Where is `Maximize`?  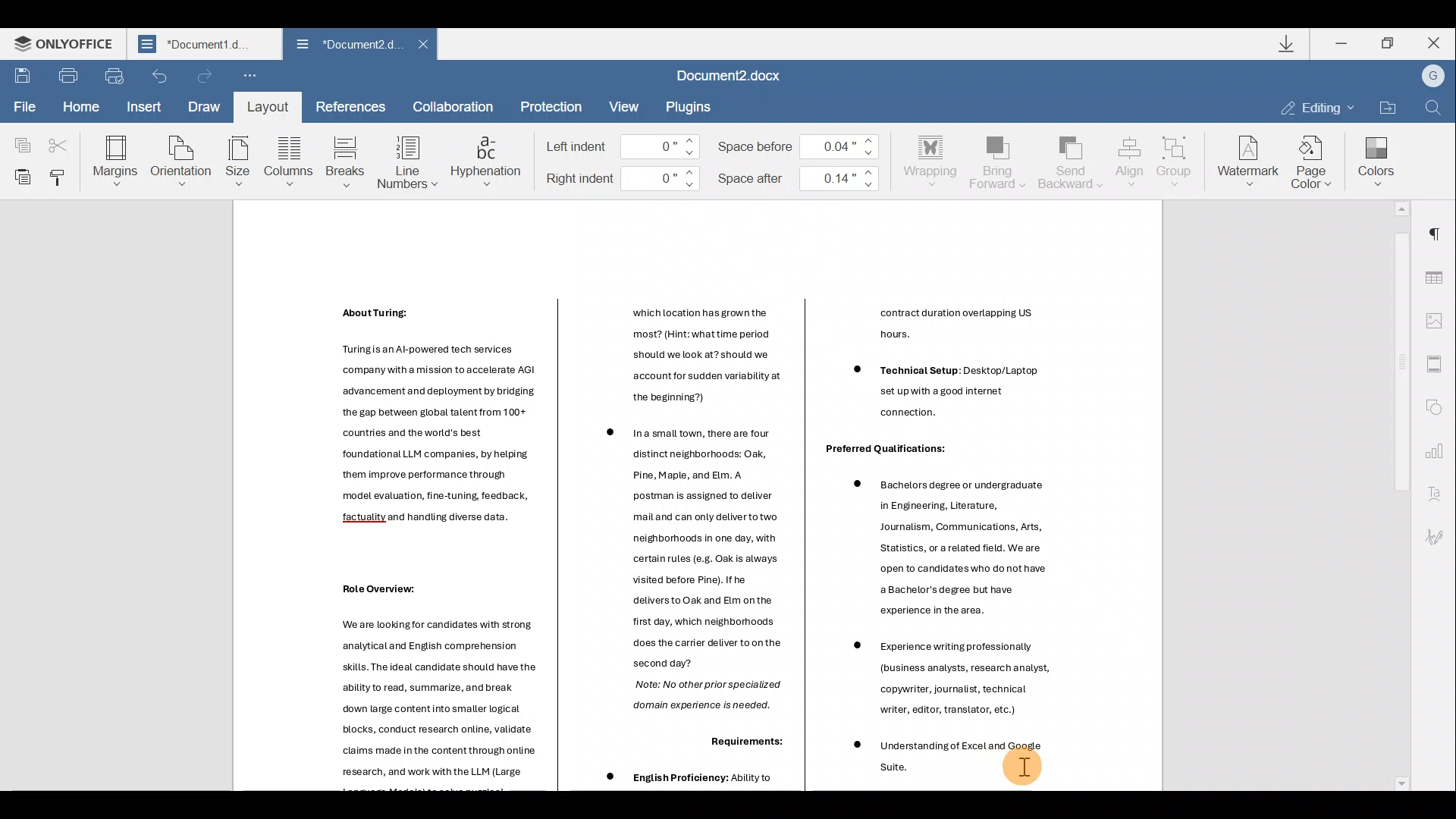
Maximize is located at coordinates (1389, 42).